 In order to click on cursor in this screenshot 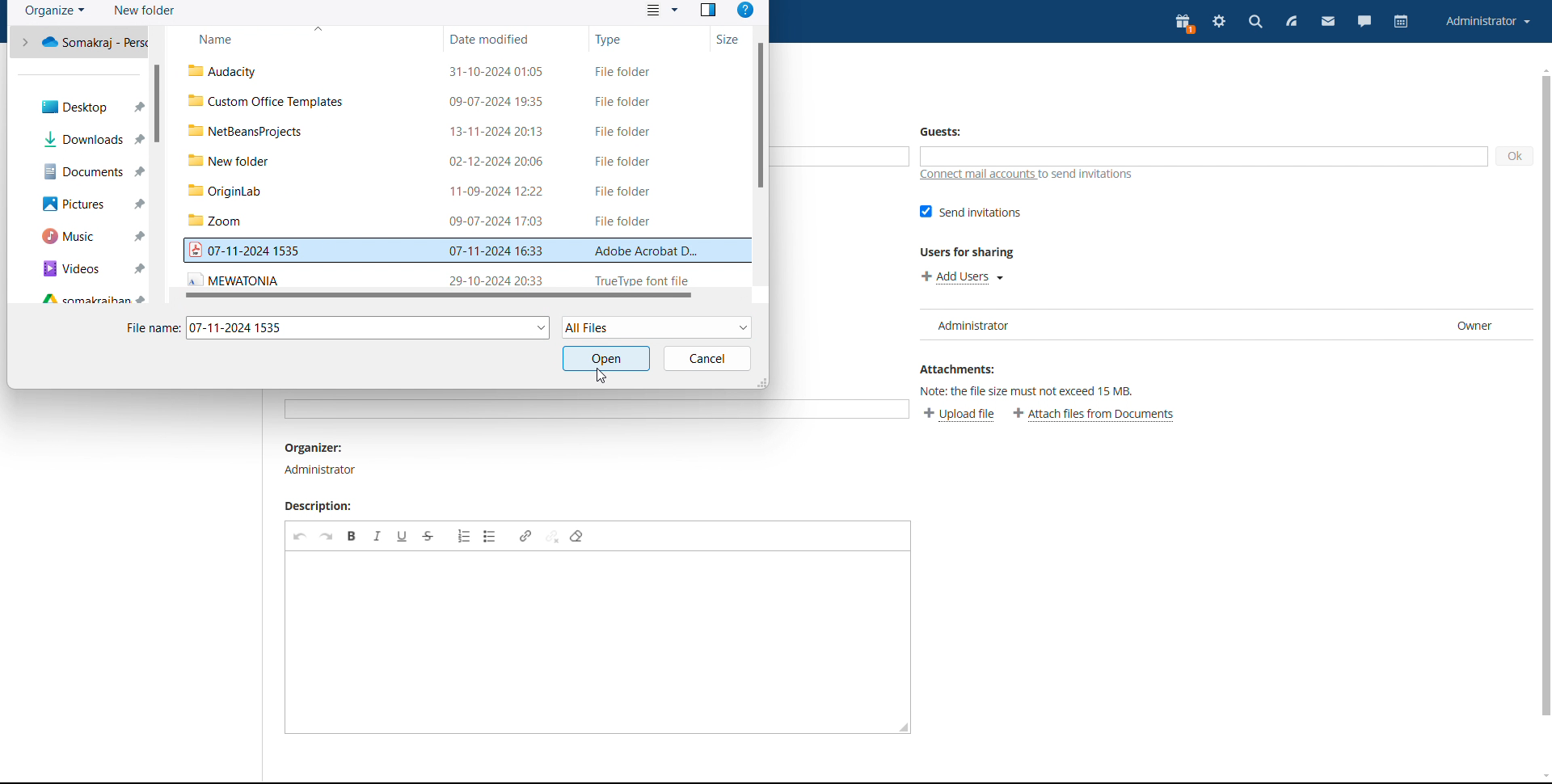, I will do `click(597, 377)`.